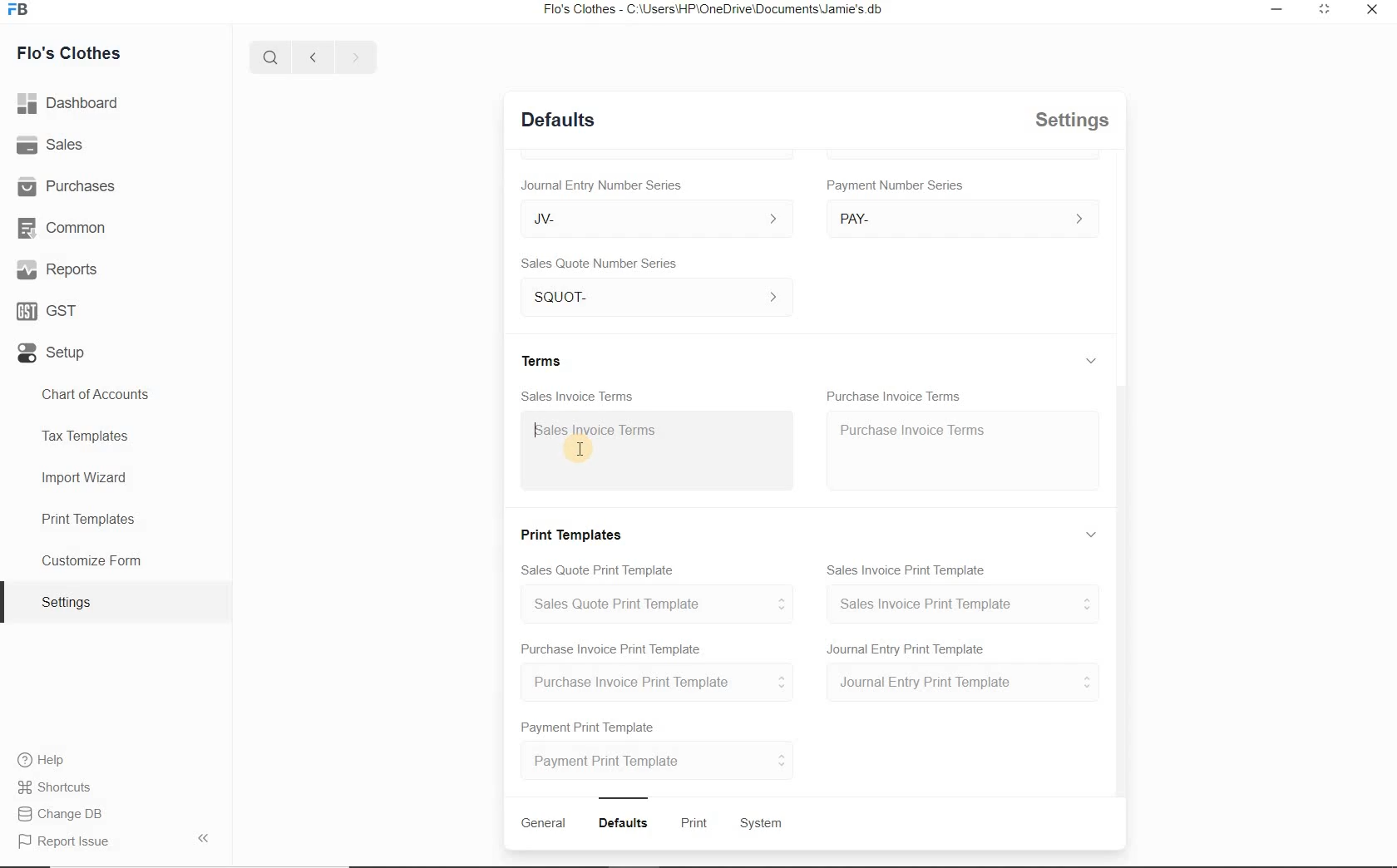 The width and height of the screenshot is (1397, 868). I want to click on Settings, so click(73, 602).